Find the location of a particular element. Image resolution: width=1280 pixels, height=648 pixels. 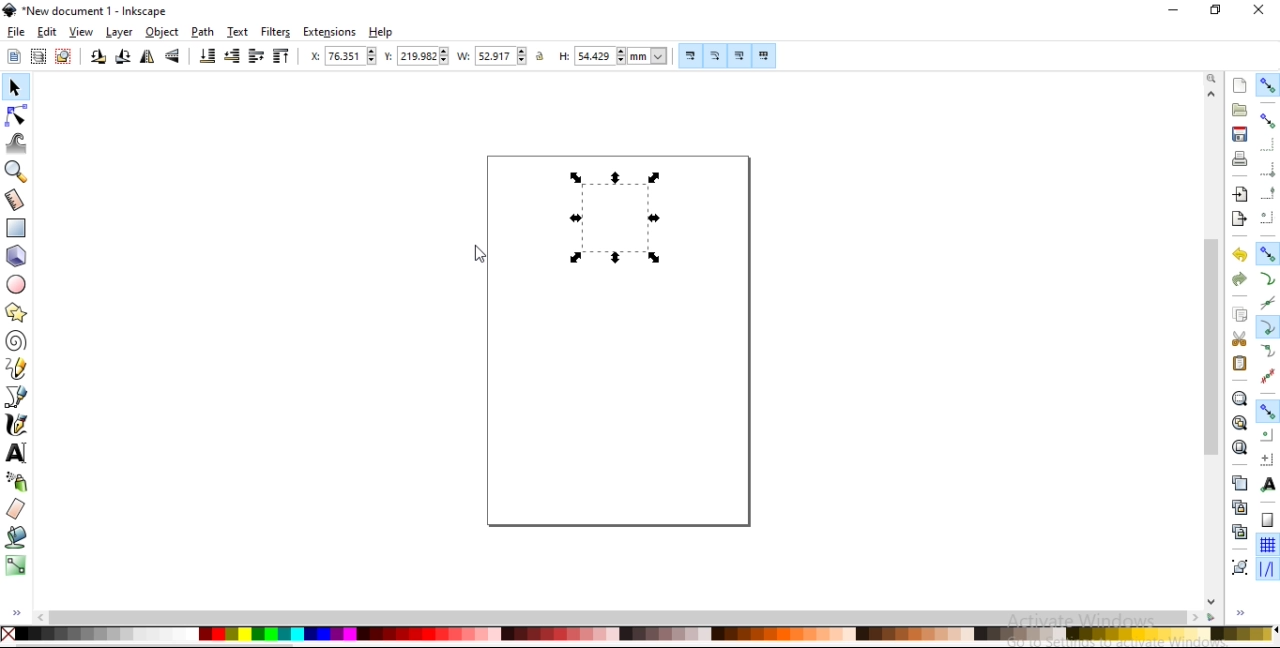

text is located at coordinates (239, 31).